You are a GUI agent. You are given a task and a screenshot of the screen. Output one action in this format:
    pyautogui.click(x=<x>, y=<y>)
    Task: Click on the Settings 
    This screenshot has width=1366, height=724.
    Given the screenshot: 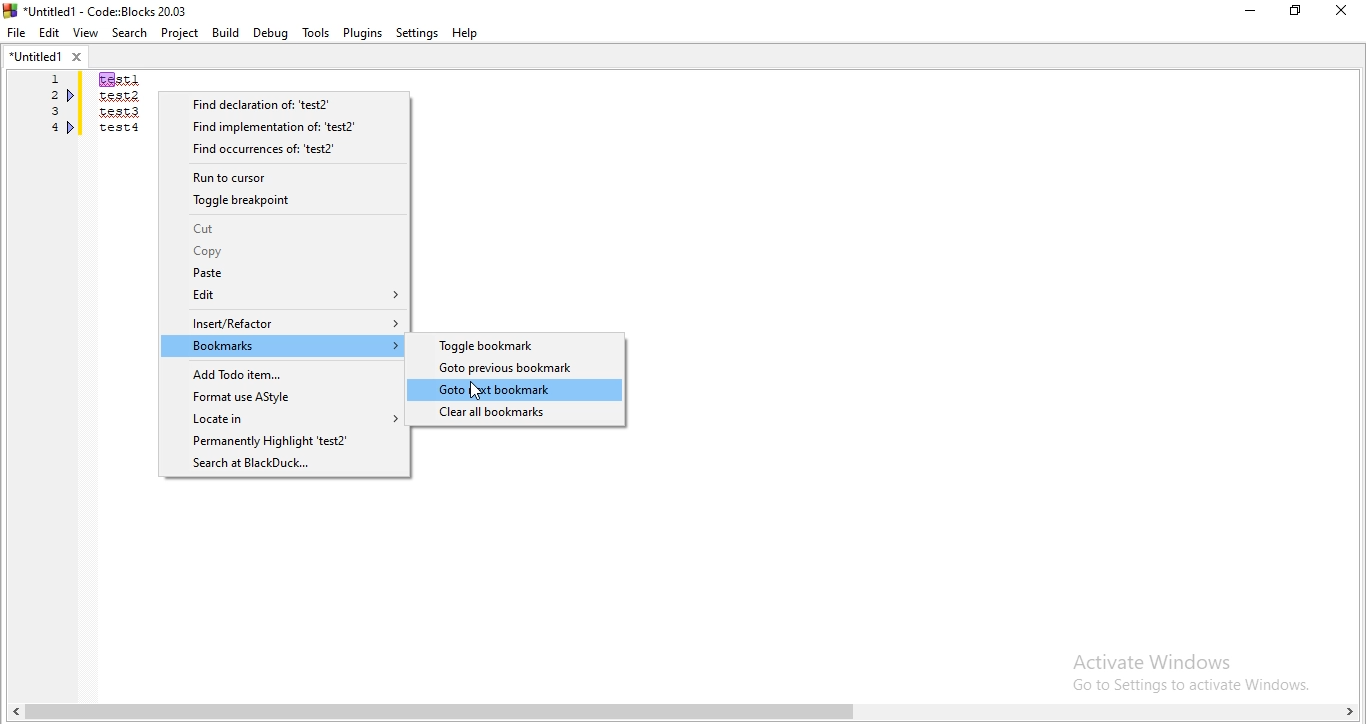 What is the action you would take?
    pyautogui.click(x=419, y=33)
    